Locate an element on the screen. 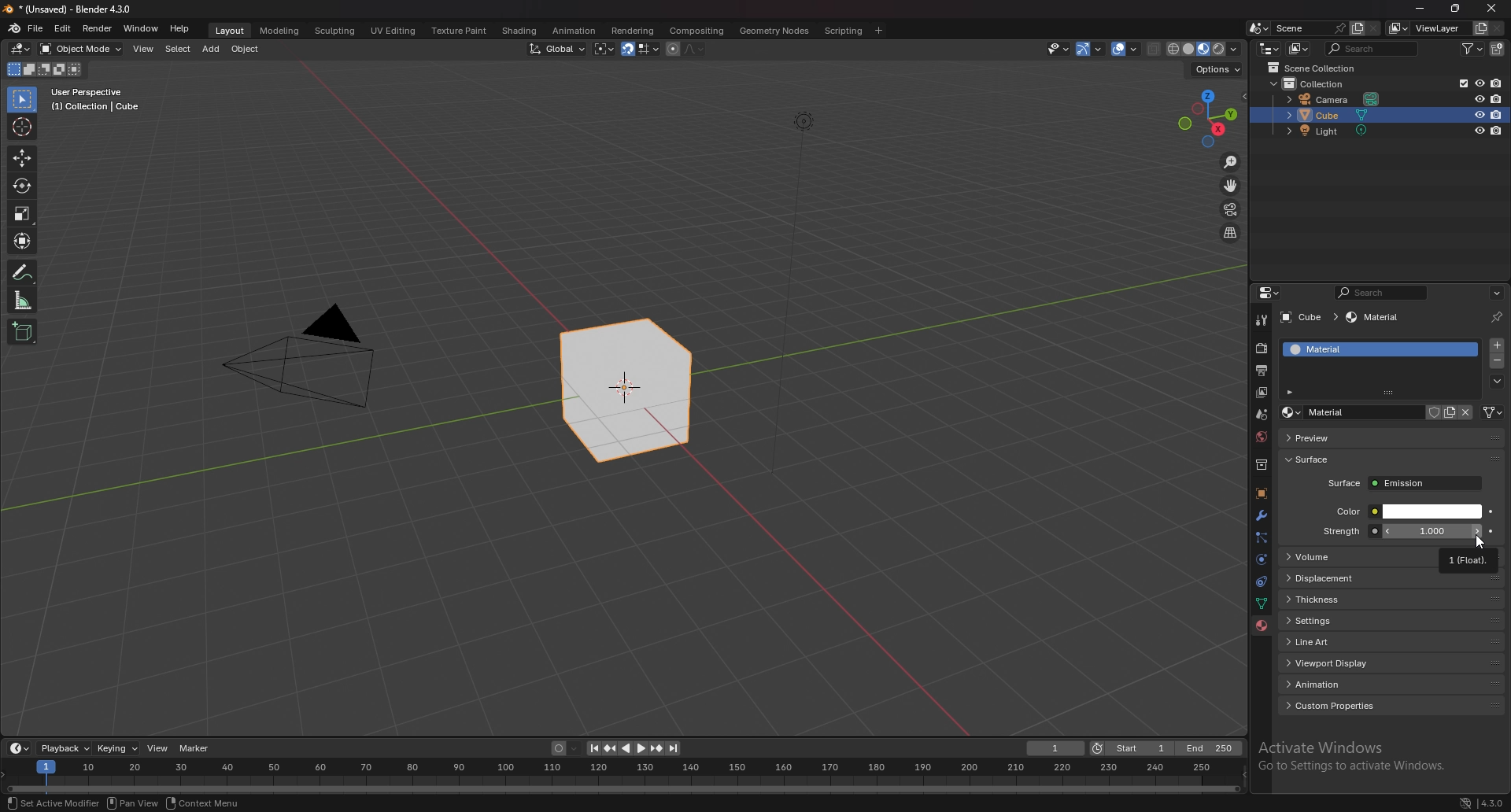 The height and width of the screenshot is (812, 1511). scale is located at coordinates (23, 212).